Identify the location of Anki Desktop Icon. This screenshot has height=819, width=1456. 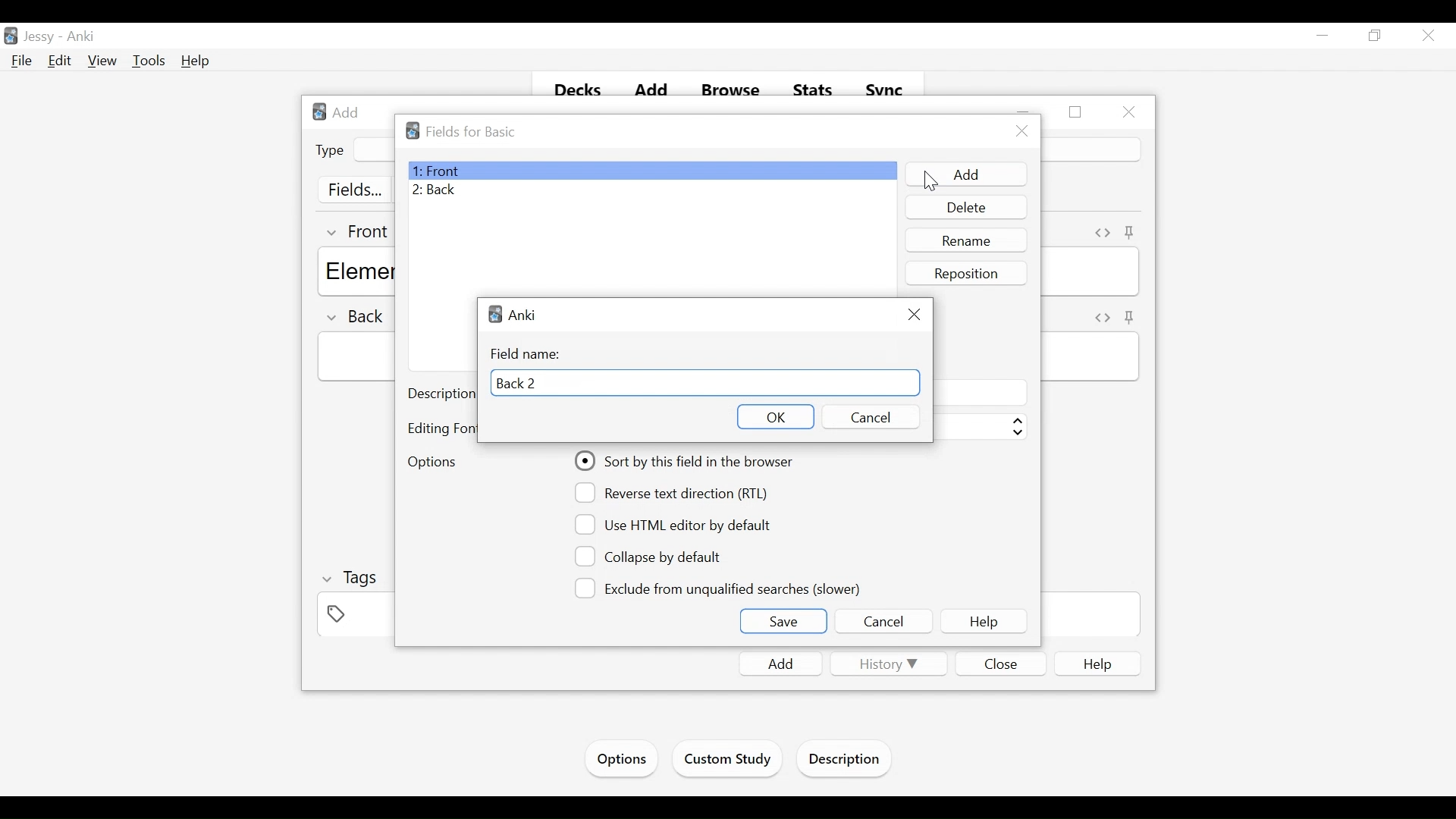
(11, 36).